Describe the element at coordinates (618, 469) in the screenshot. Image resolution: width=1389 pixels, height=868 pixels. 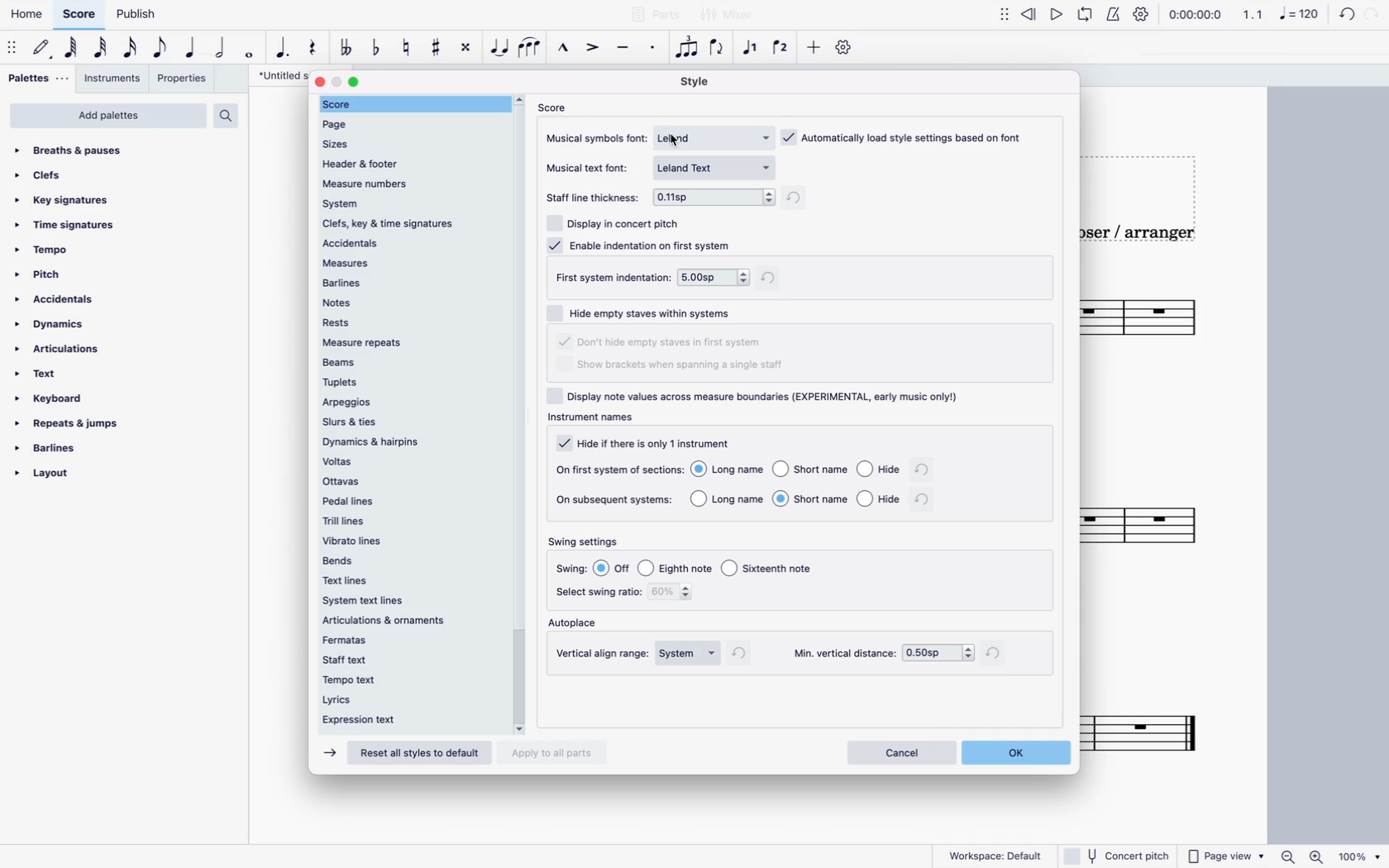
I see `on first system of sections` at that location.